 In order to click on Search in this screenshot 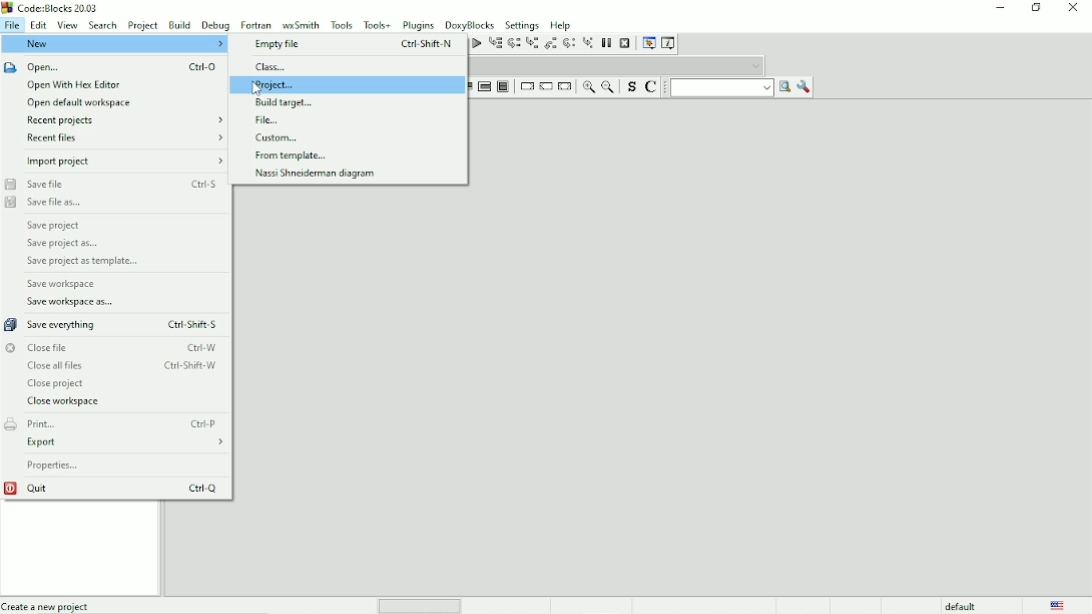, I will do `click(103, 25)`.